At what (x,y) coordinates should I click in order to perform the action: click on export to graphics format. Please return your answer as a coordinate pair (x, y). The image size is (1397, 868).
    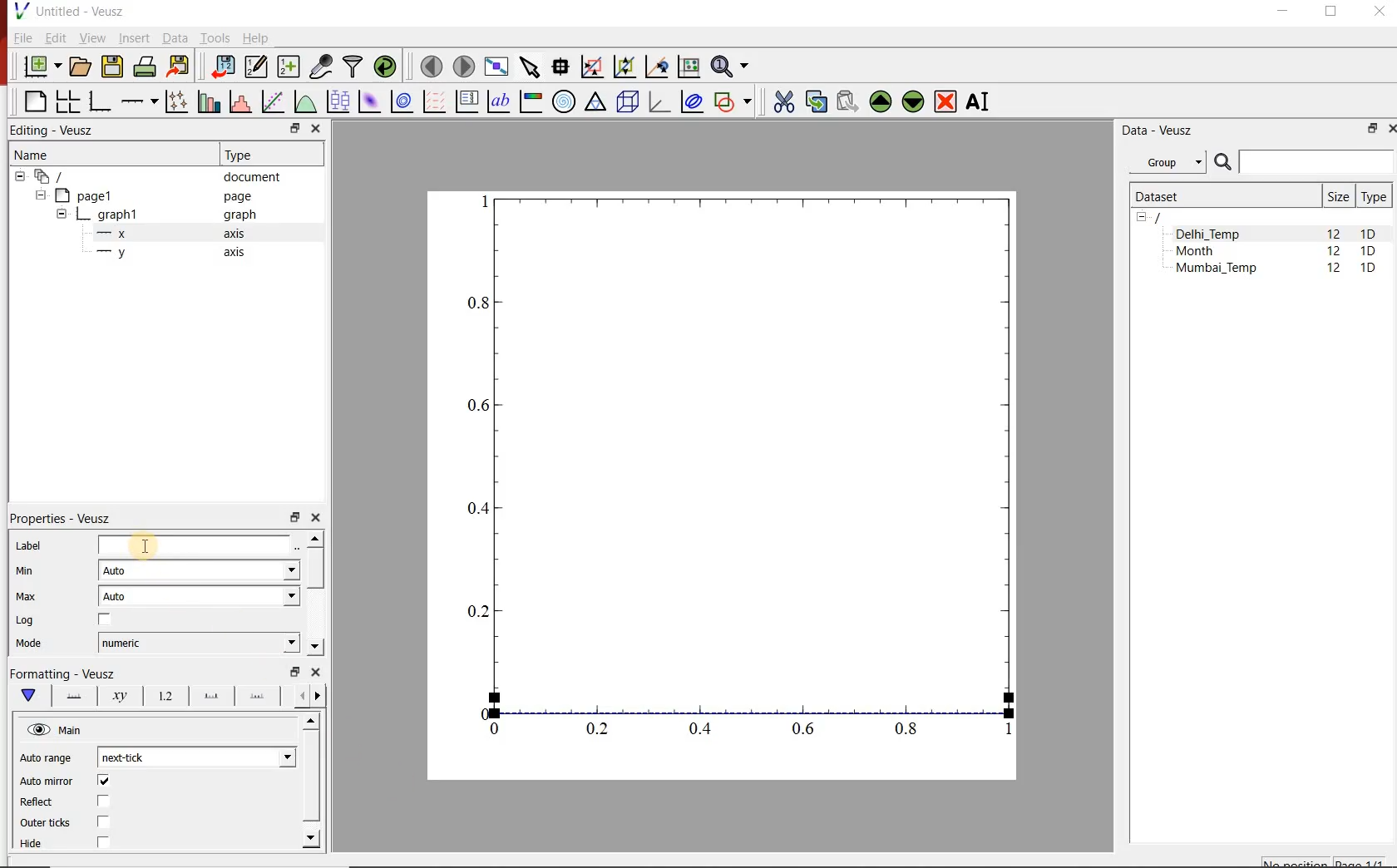
    Looking at the image, I should click on (180, 67).